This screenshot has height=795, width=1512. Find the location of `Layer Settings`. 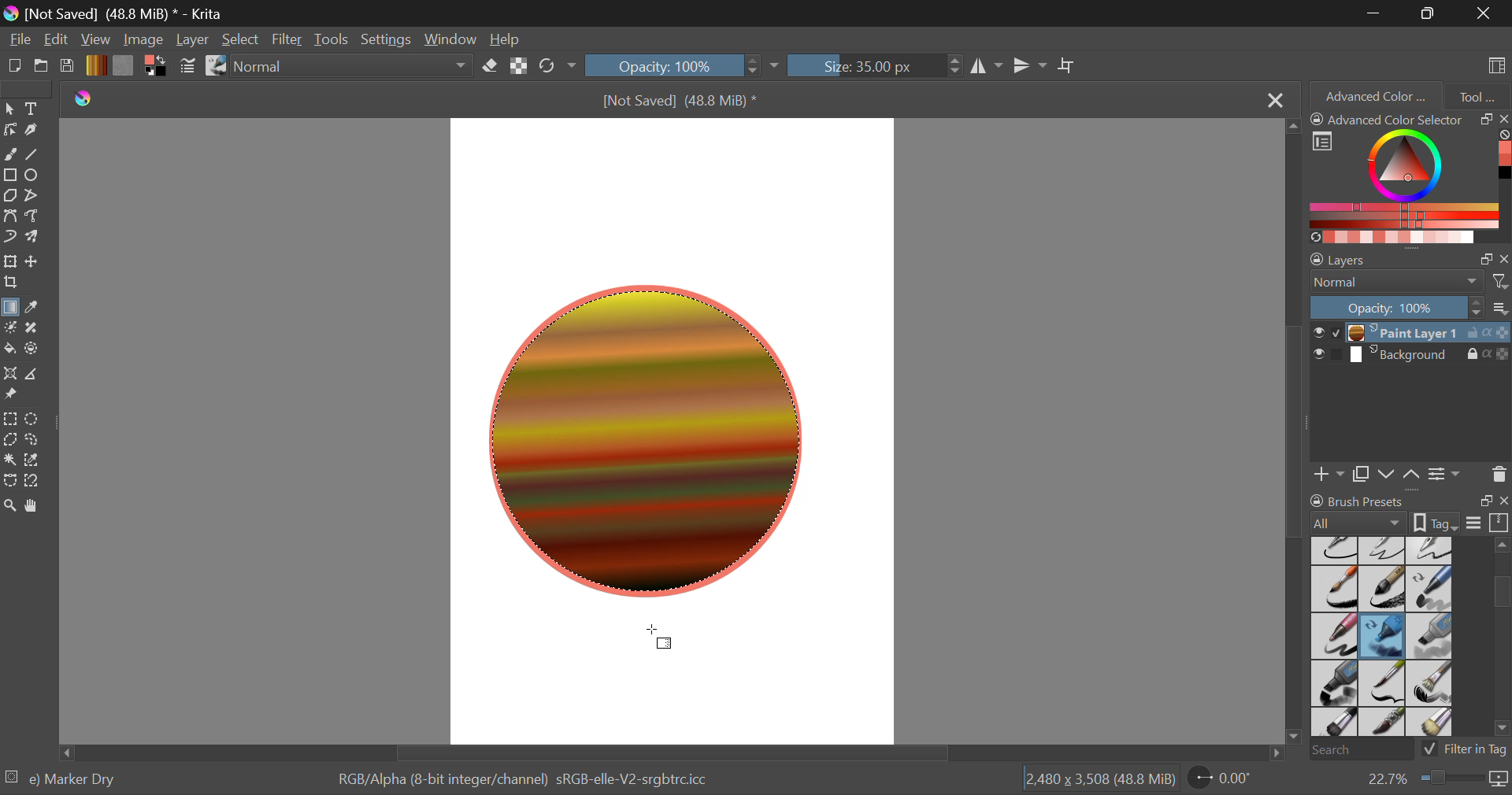

Layer Settings is located at coordinates (1410, 256).